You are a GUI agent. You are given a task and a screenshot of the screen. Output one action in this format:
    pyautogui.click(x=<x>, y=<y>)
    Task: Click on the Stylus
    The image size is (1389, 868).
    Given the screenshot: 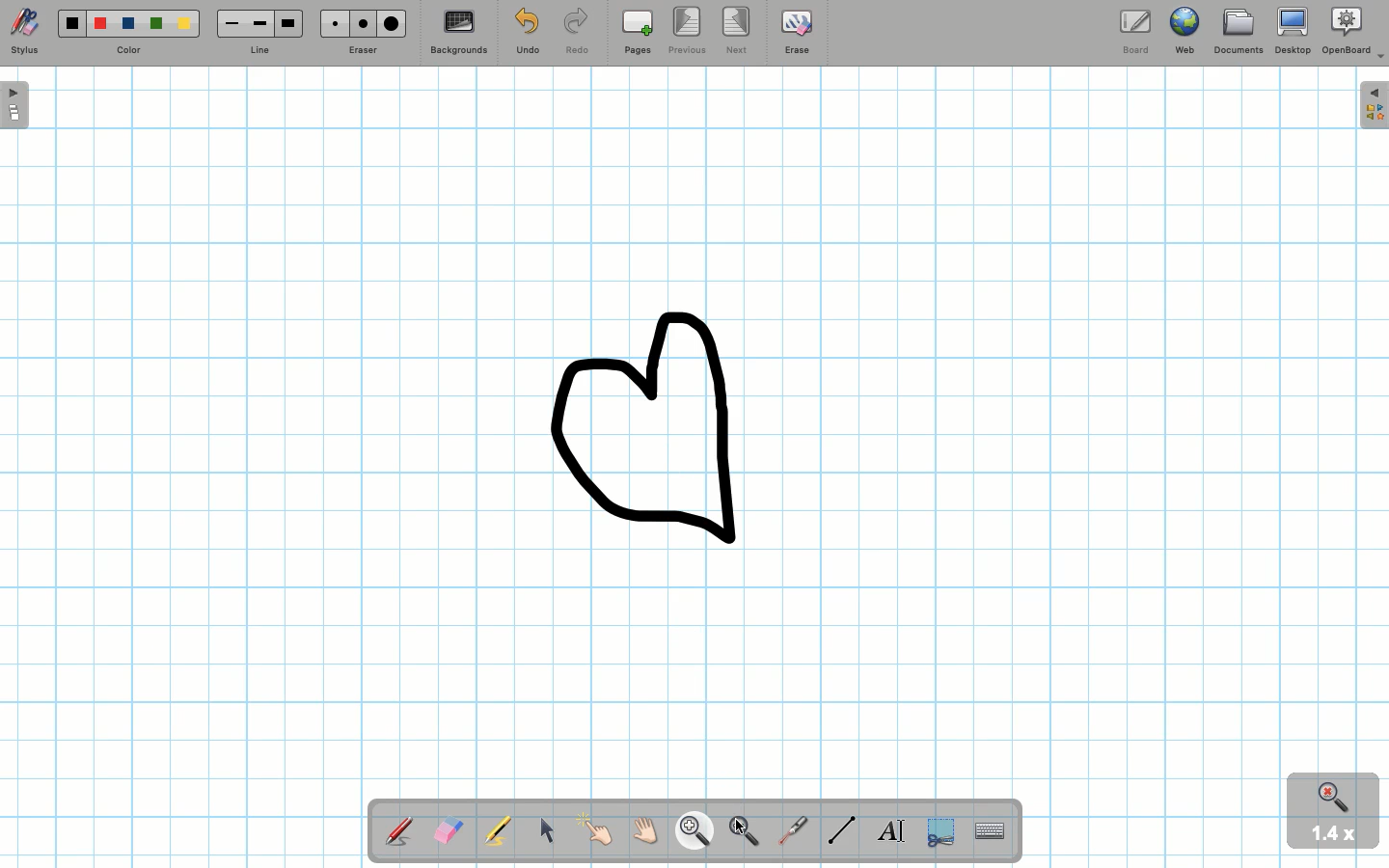 What is the action you would take?
    pyautogui.click(x=26, y=32)
    